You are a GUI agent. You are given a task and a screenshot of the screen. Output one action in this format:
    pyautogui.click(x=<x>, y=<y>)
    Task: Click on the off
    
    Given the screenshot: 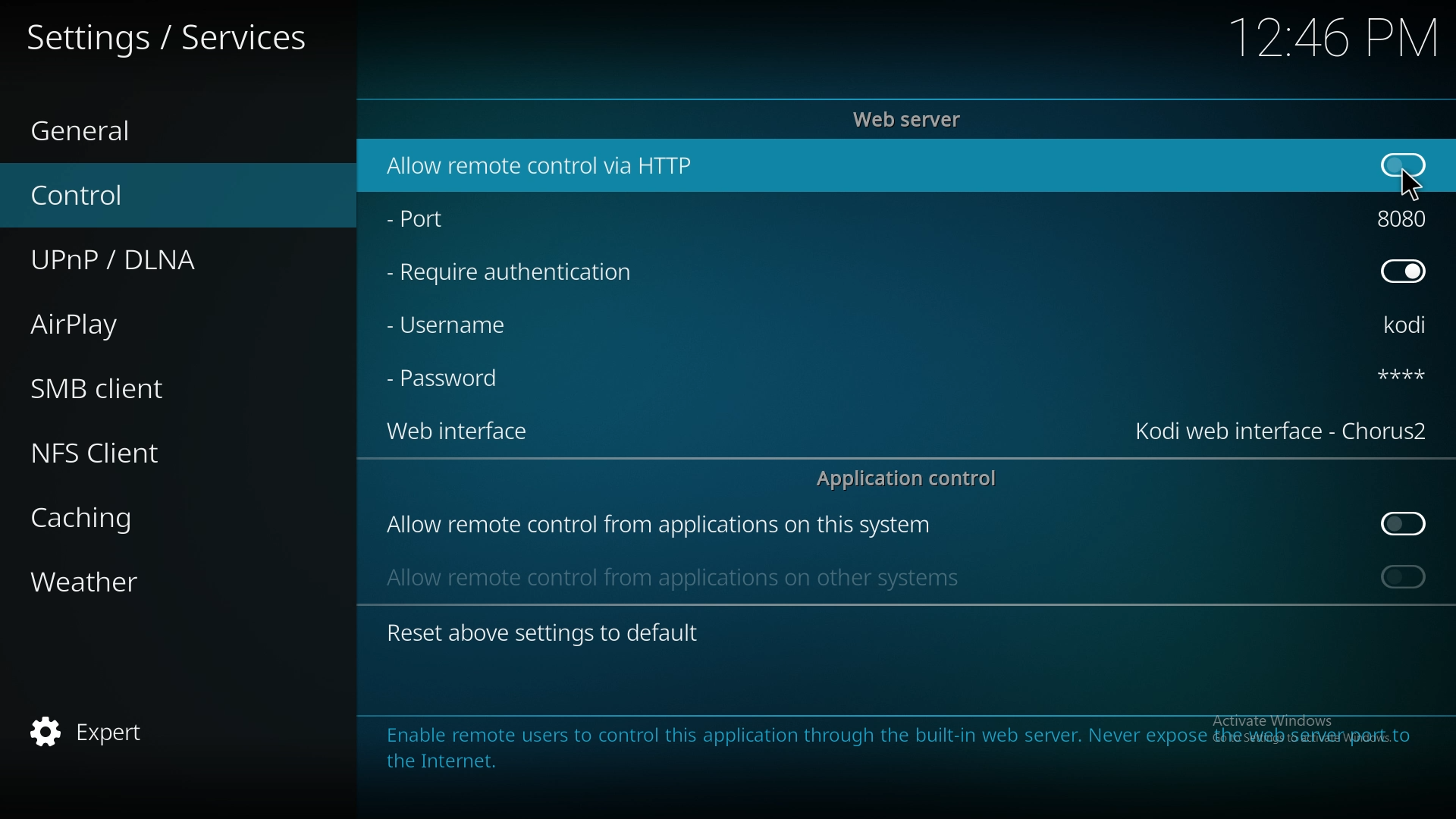 What is the action you would take?
    pyautogui.click(x=1403, y=269)
    